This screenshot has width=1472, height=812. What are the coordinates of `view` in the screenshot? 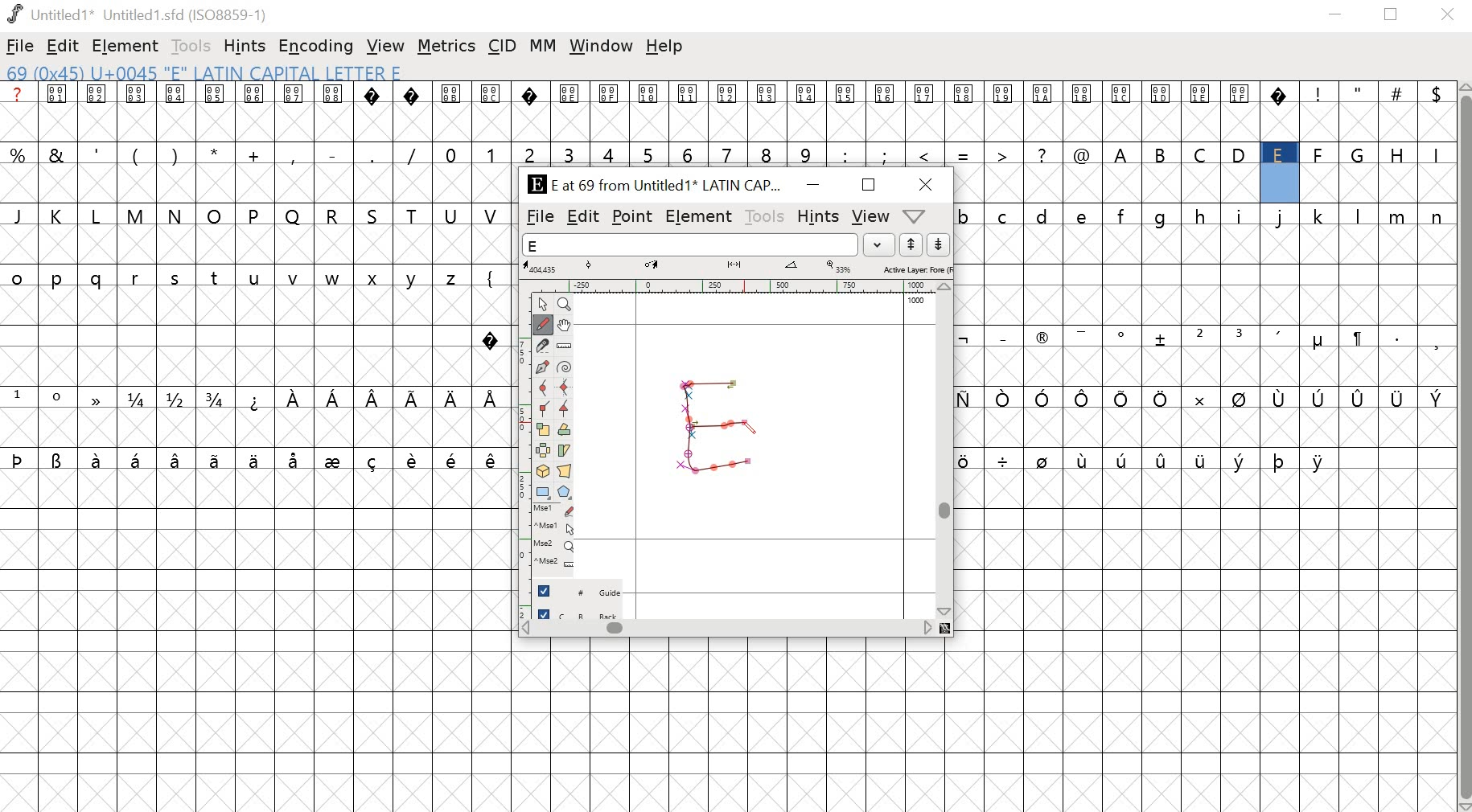 It's located at (869, 217).